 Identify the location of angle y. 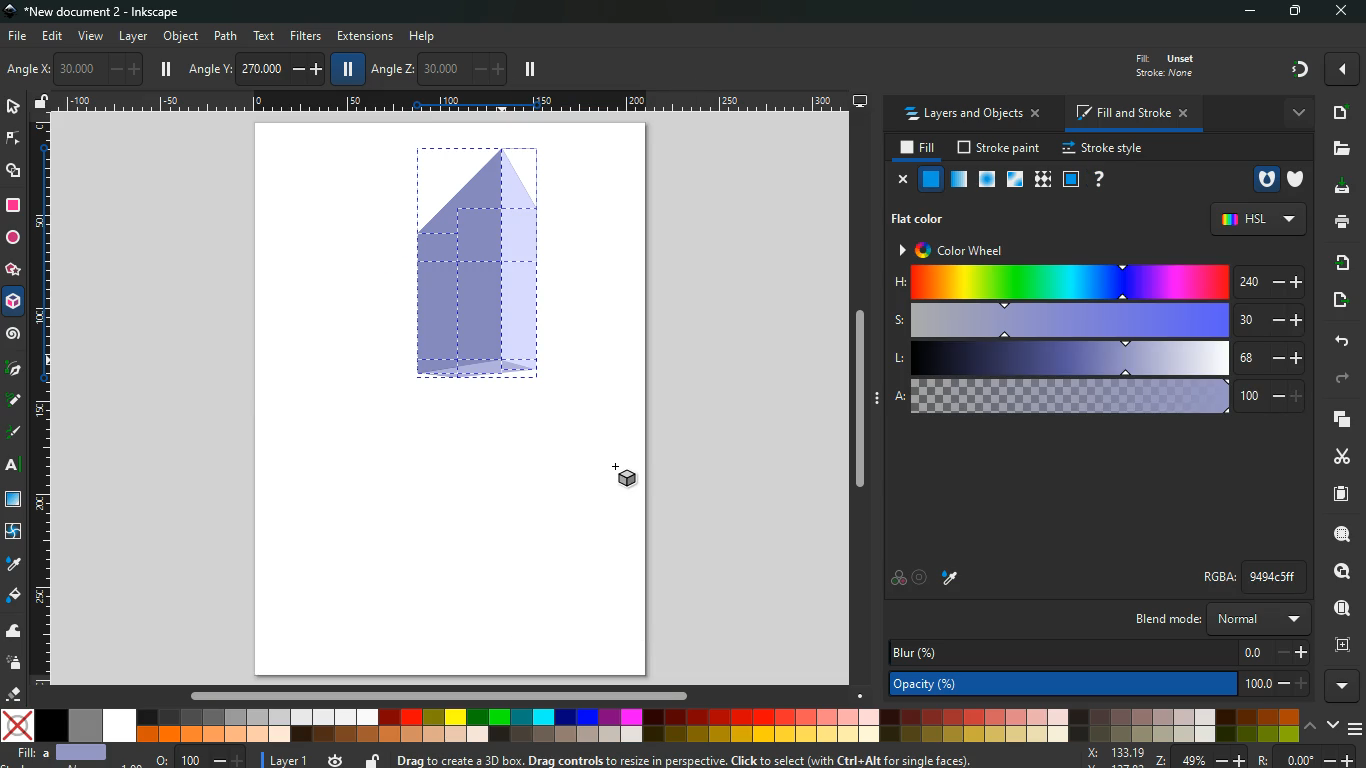
(258, 66).